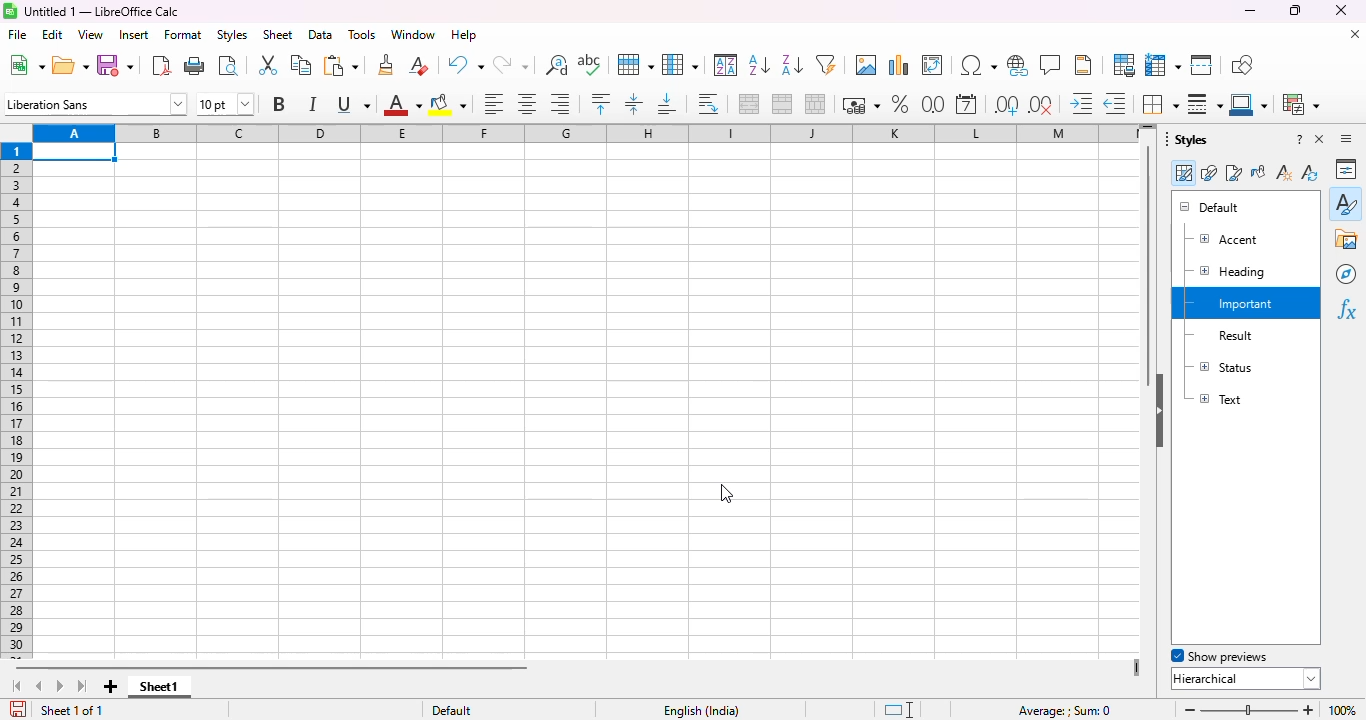 The height and width of the screenshot is (720, 1366). Describe the element at coordinates (1308, 710) in the screenshot. I see `zoom in` at that location.